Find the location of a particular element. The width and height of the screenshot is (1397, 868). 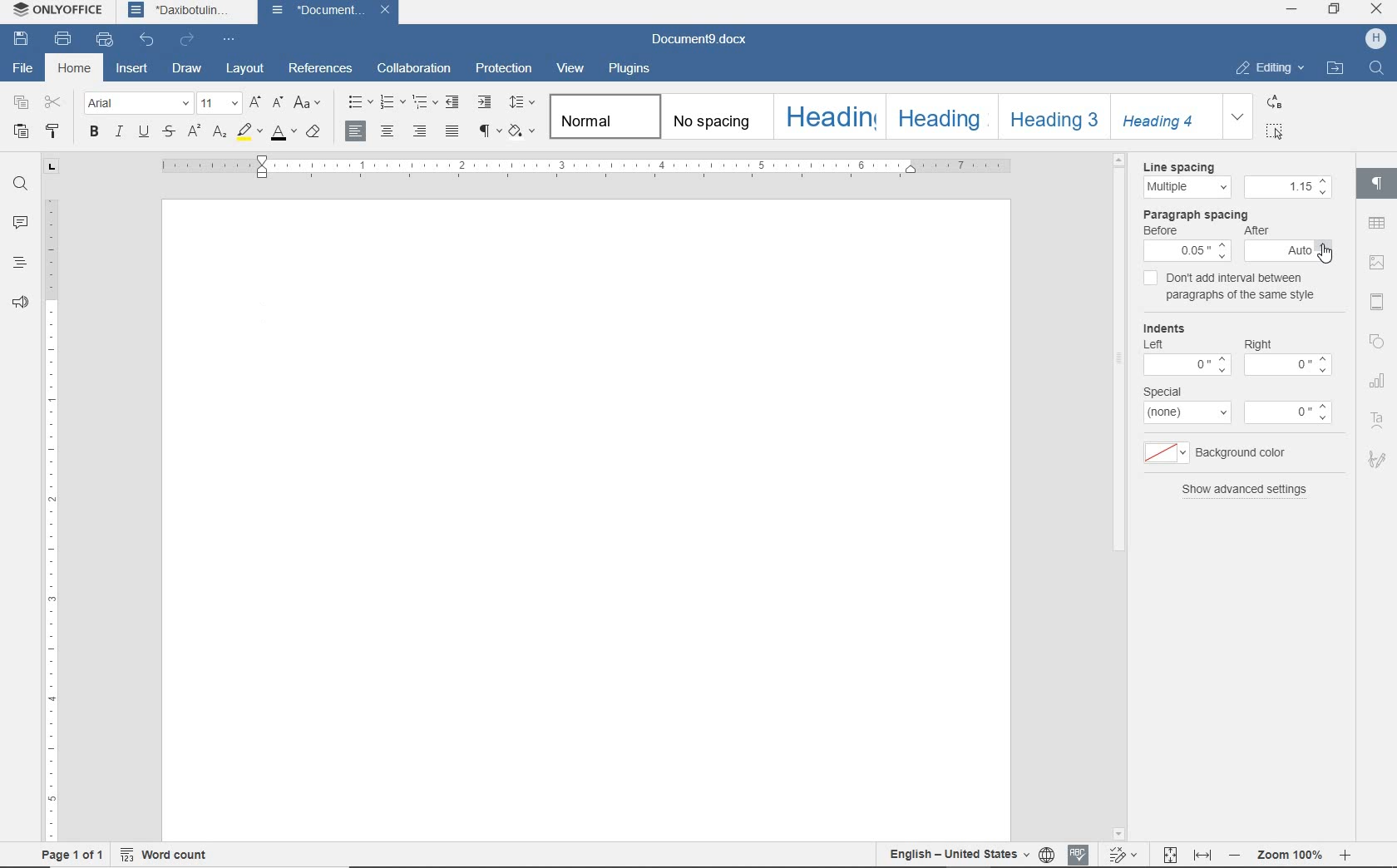

fit to width is located at coordinates (1202, 856).